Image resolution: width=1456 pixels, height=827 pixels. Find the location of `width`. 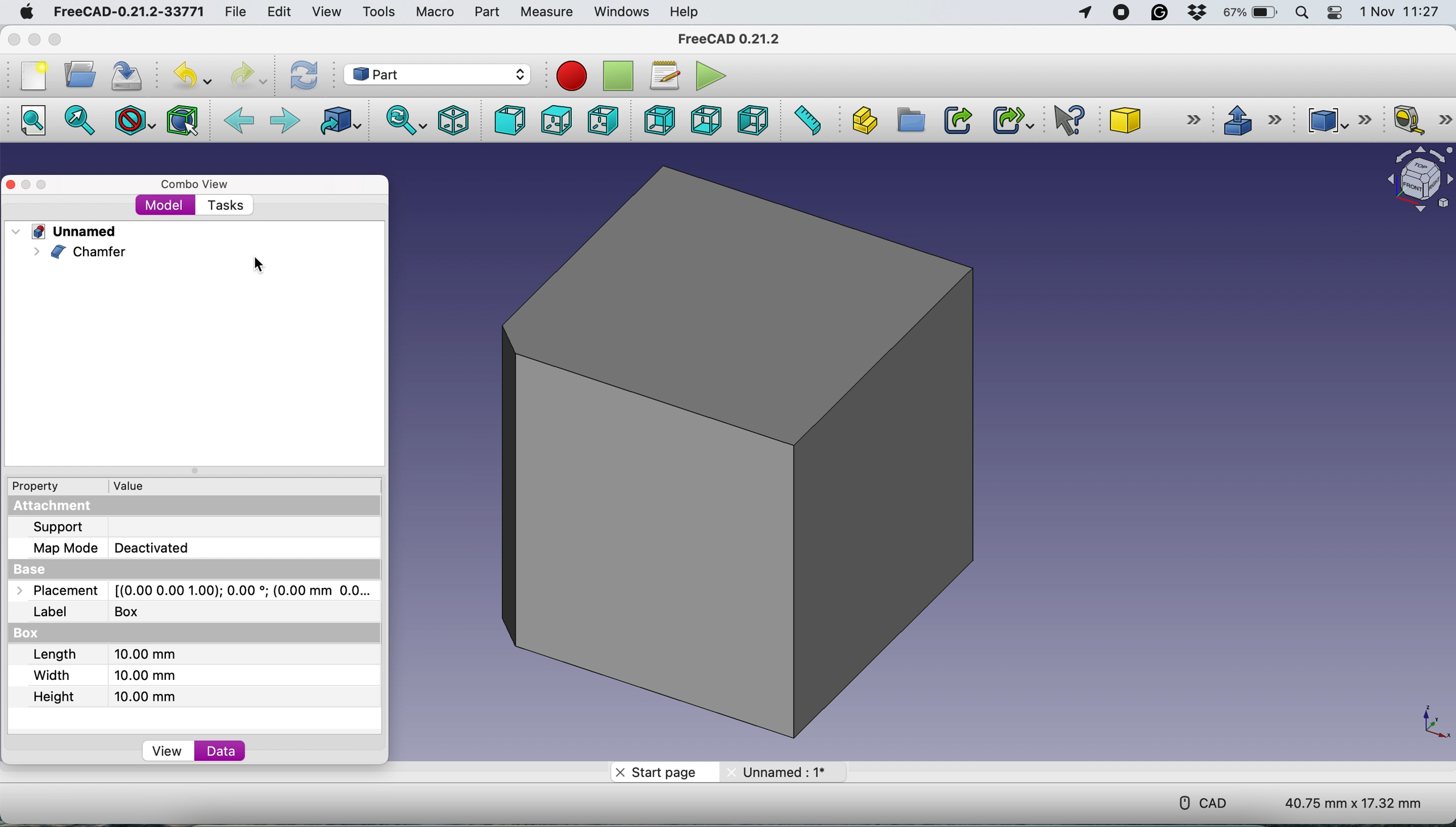

width is located at coordinates (102, 675).